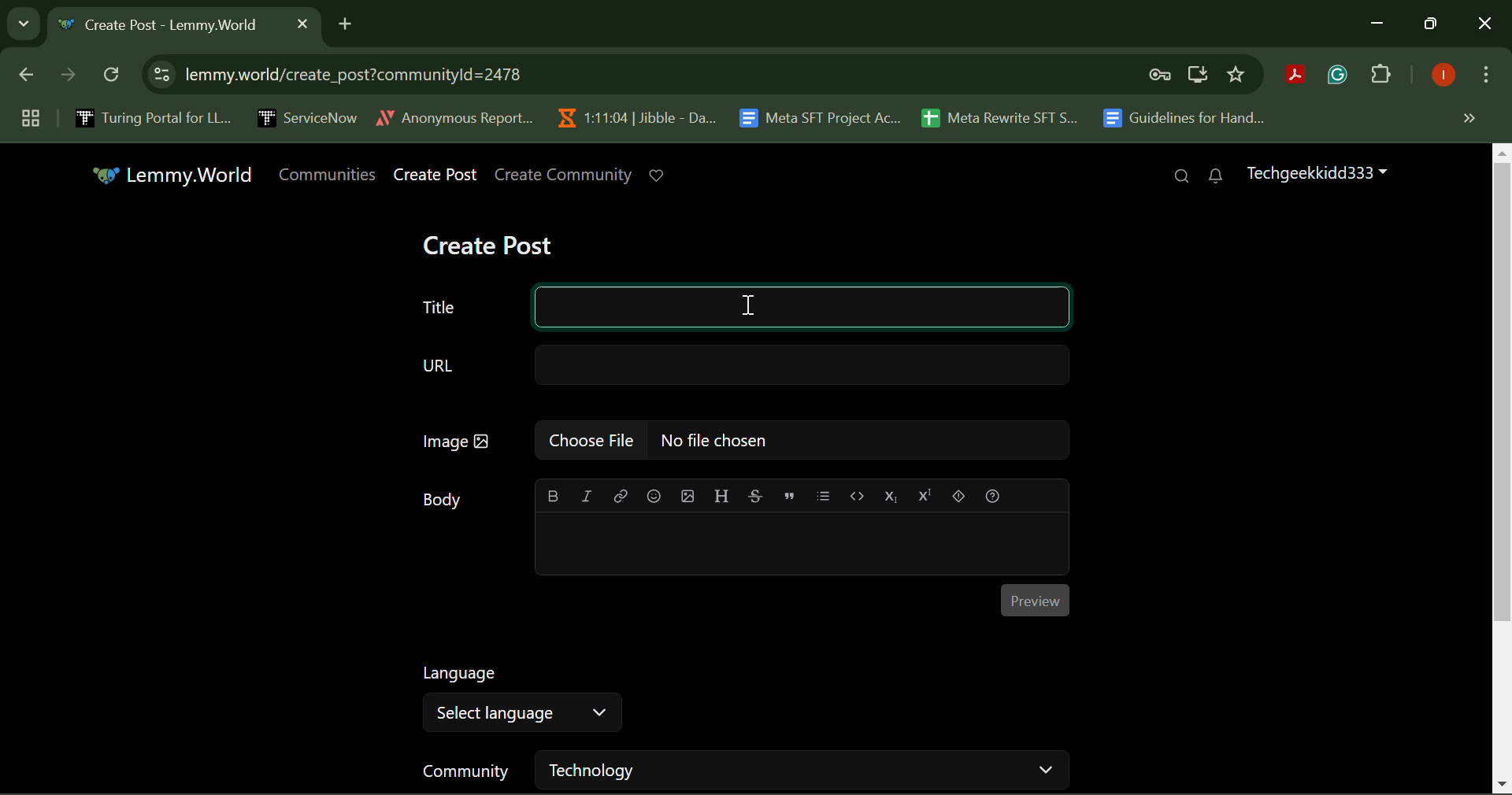 The width and height of the screenshot is (1512, 795). I want to click on Refresh Page , so click(113, 76).